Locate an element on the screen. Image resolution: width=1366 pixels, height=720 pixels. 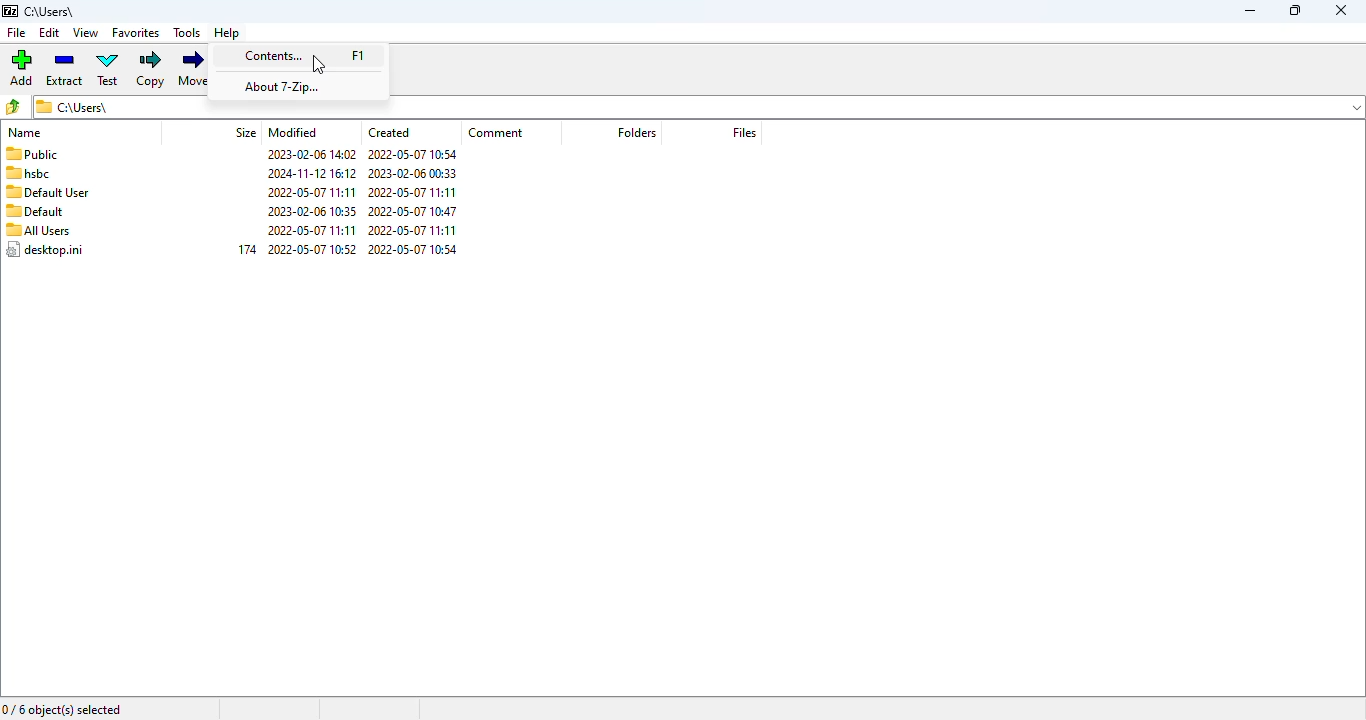
about 7-zip is located at coordinates (283, 87).